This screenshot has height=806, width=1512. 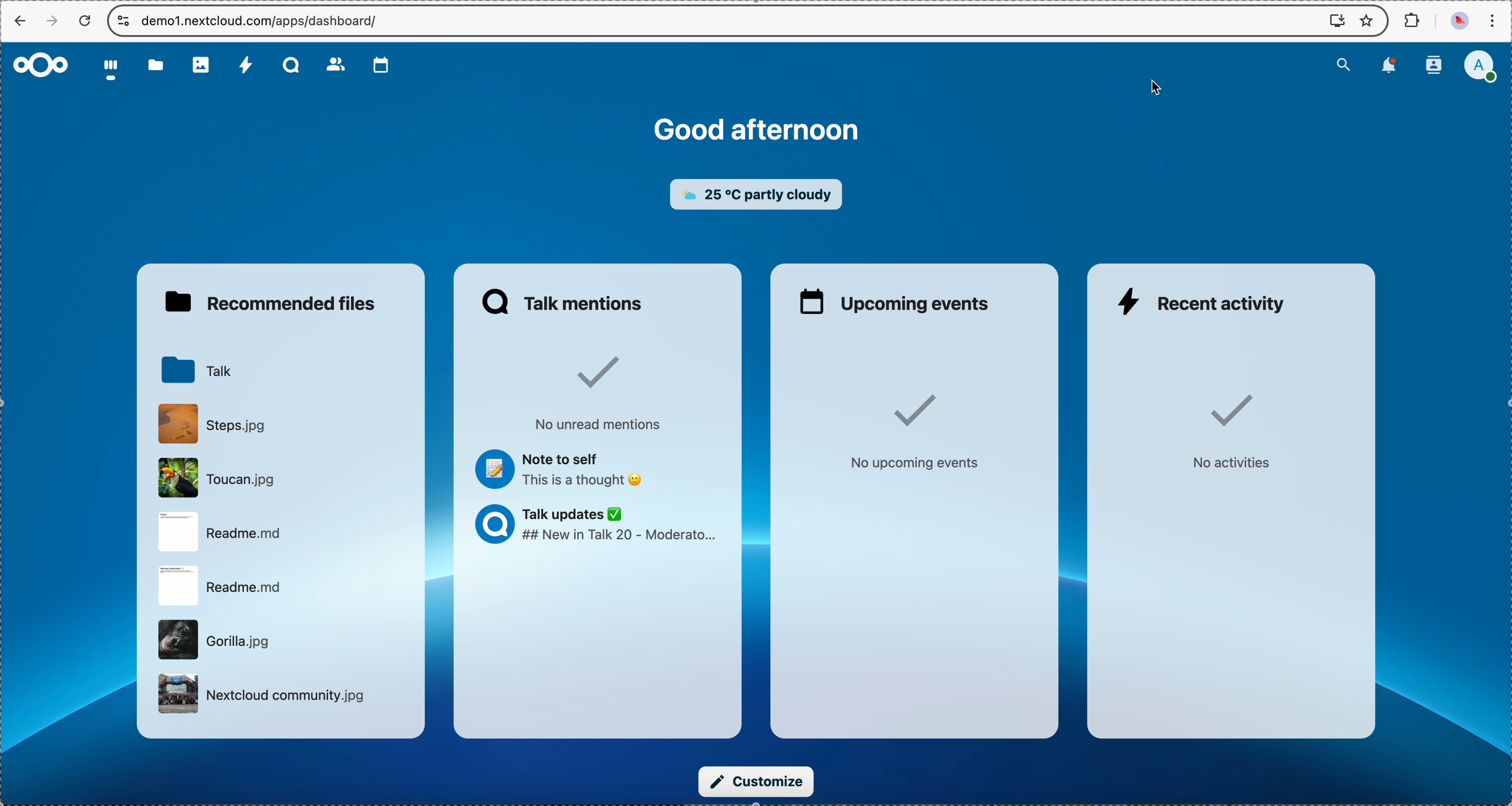 I want to click on contacts, so click(x=1435, y=66).